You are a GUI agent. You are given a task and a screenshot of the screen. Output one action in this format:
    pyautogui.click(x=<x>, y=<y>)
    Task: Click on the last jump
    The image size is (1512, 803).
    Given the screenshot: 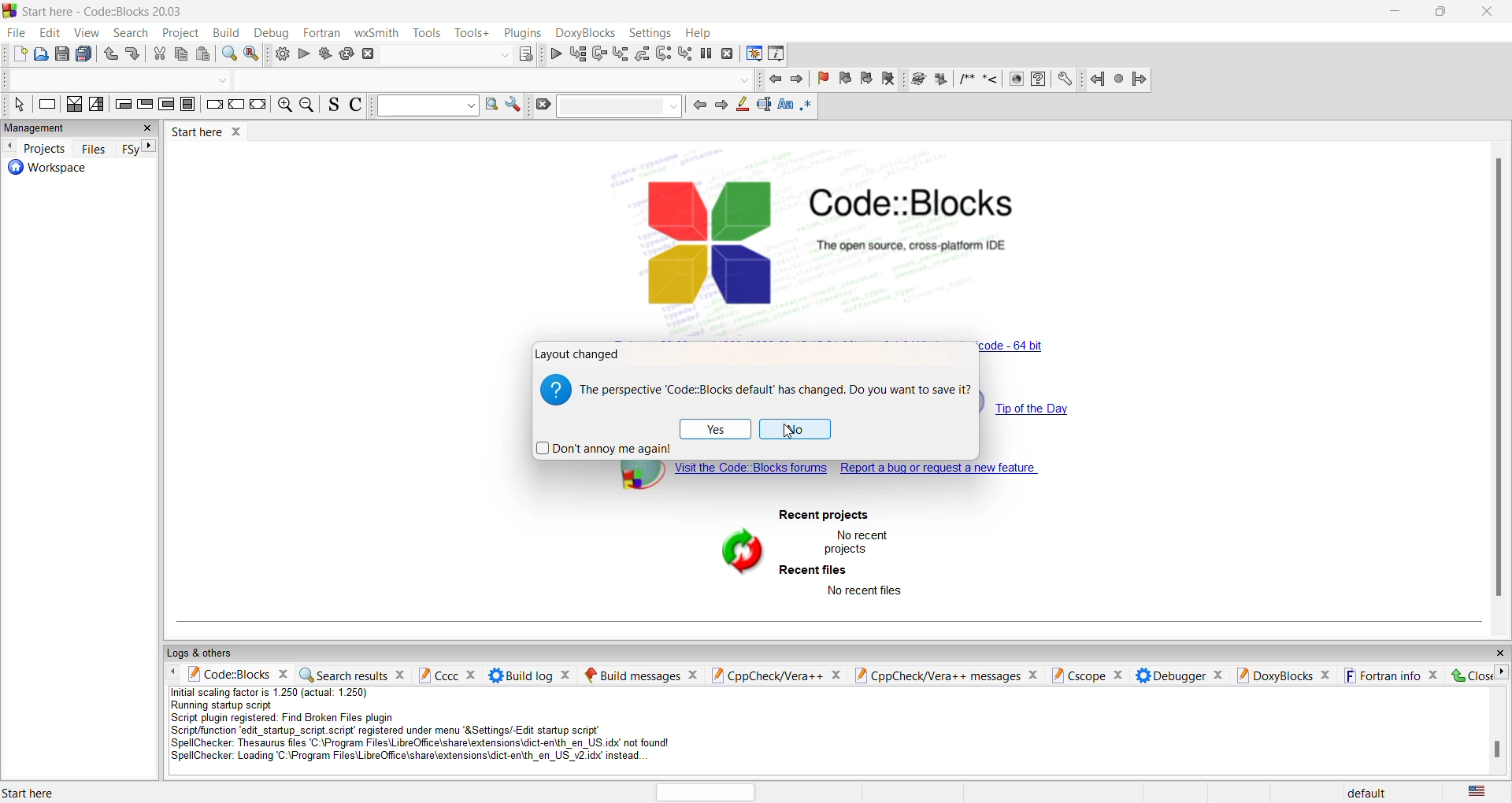 What is the action you would take?
    pyautogui.click(x=1117, y=80)
    